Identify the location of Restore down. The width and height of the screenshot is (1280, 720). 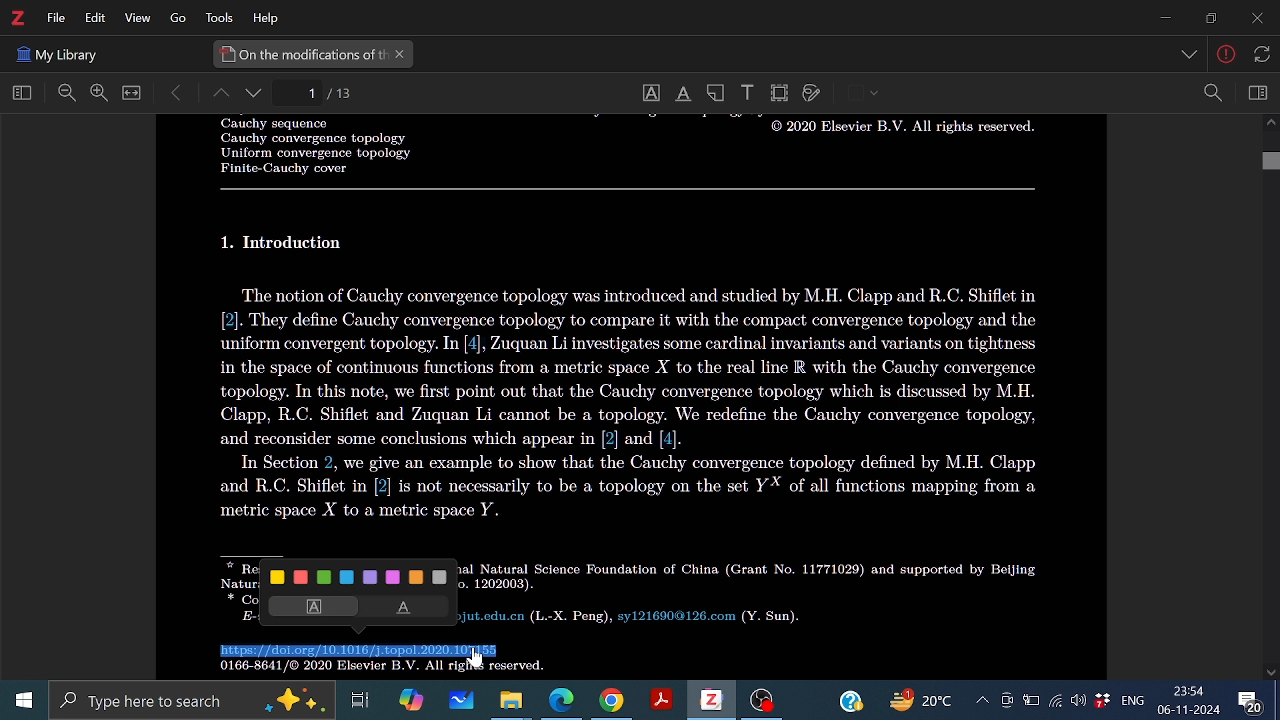
(1208, 18).